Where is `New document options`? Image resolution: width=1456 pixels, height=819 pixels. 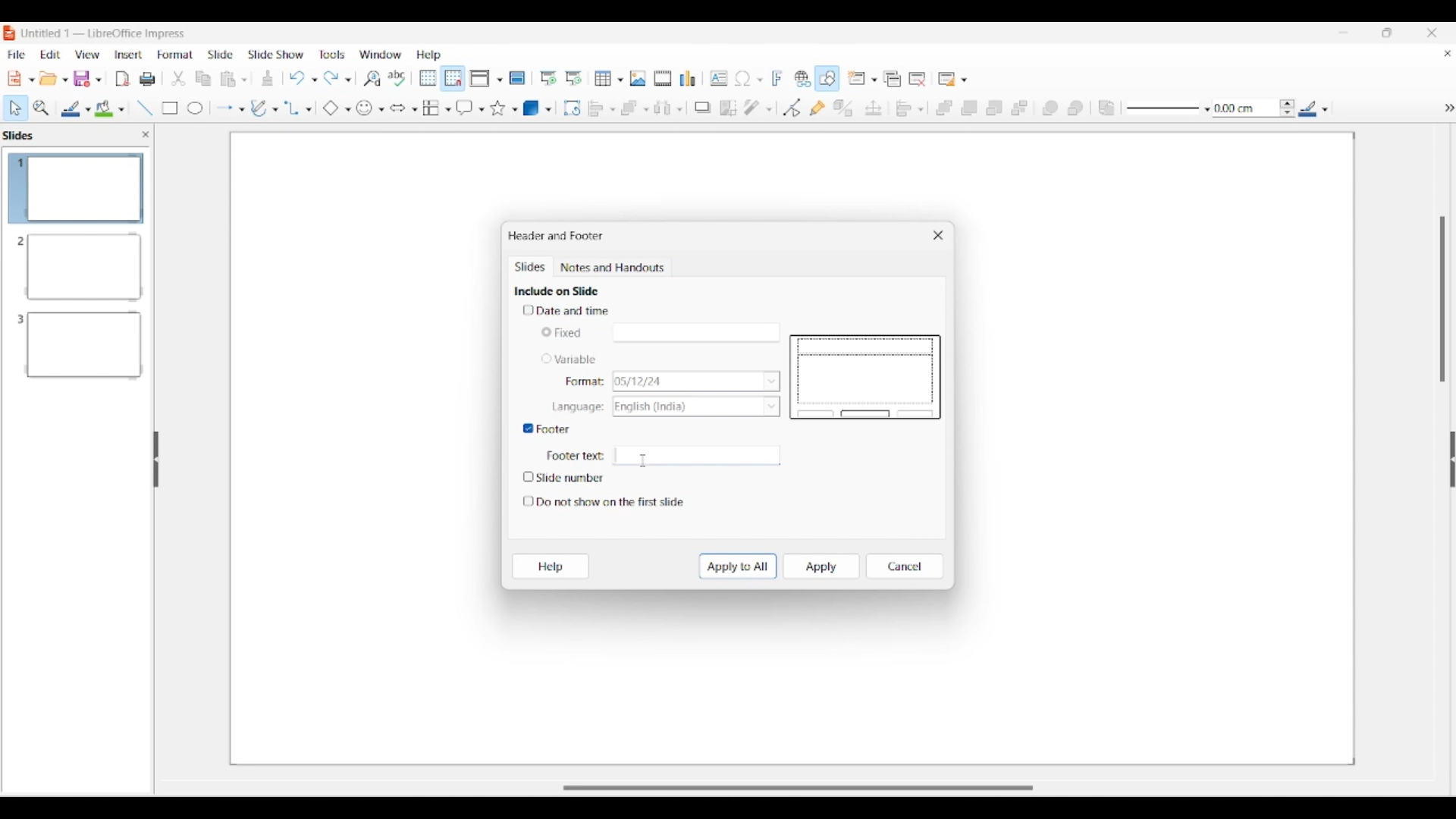
New document options is located at coordinates (21, 79).